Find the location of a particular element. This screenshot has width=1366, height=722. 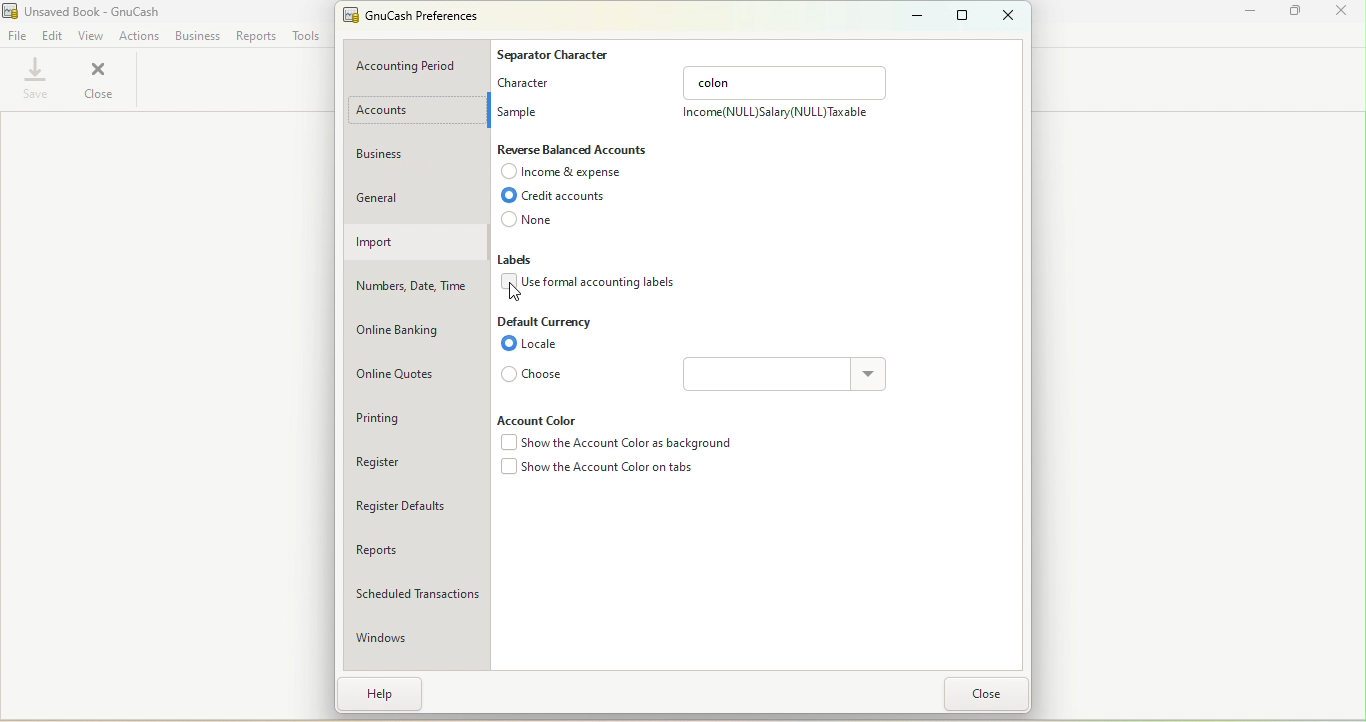

Close is located at coordinates (992, 694).